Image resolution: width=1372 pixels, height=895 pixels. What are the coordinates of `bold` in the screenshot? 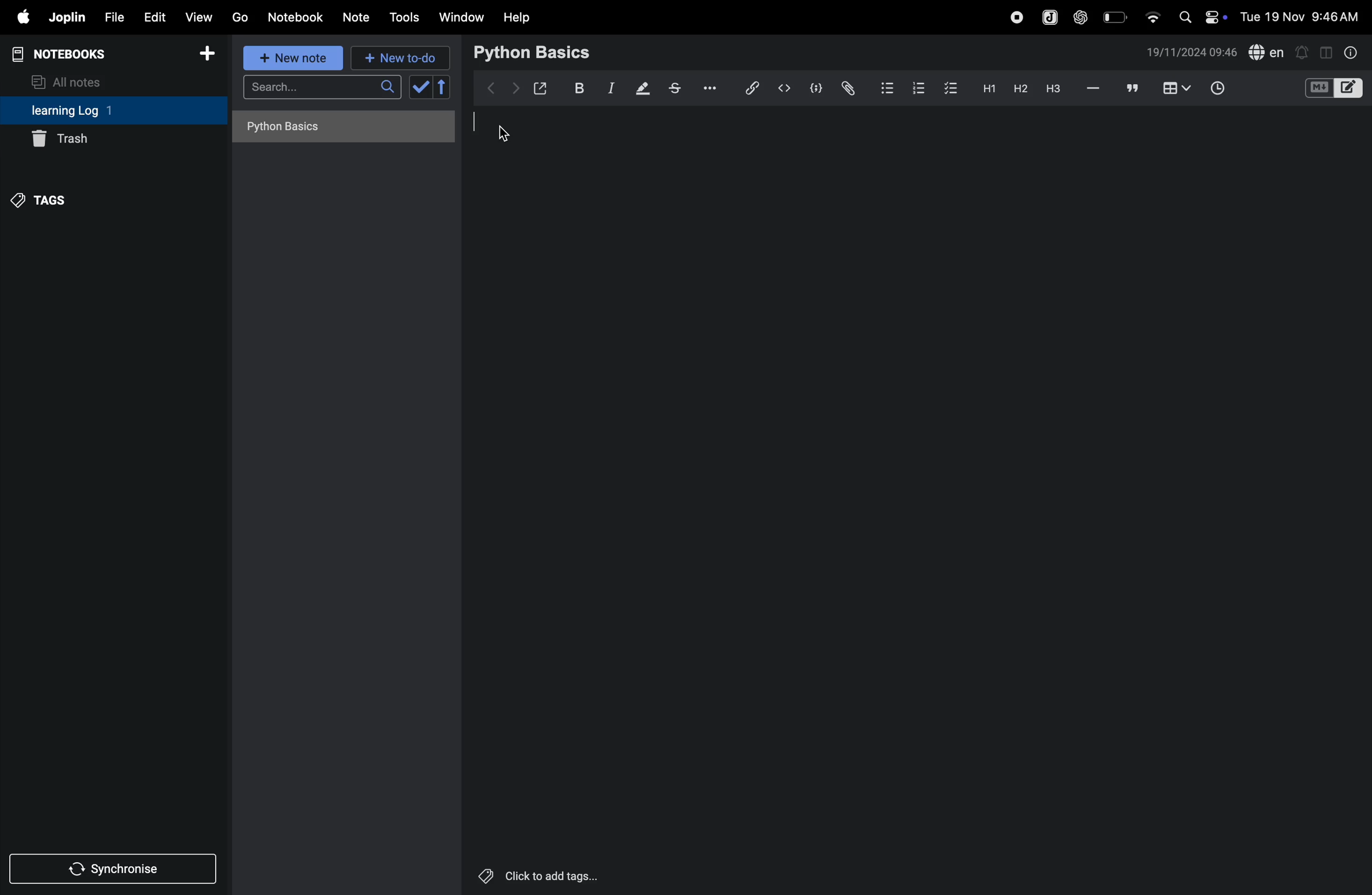 It's located at (576, 88).